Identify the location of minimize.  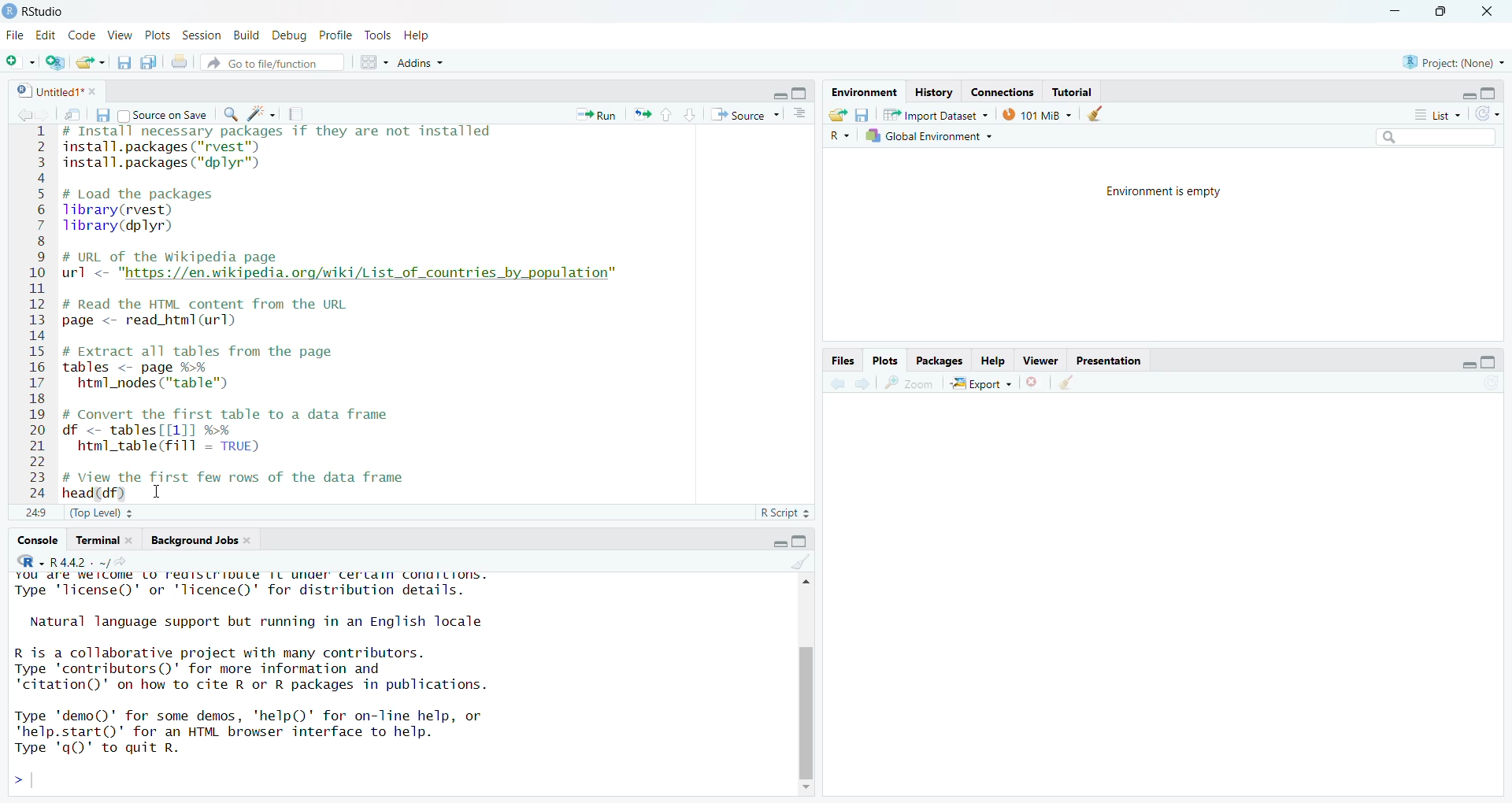
(1469, 95).